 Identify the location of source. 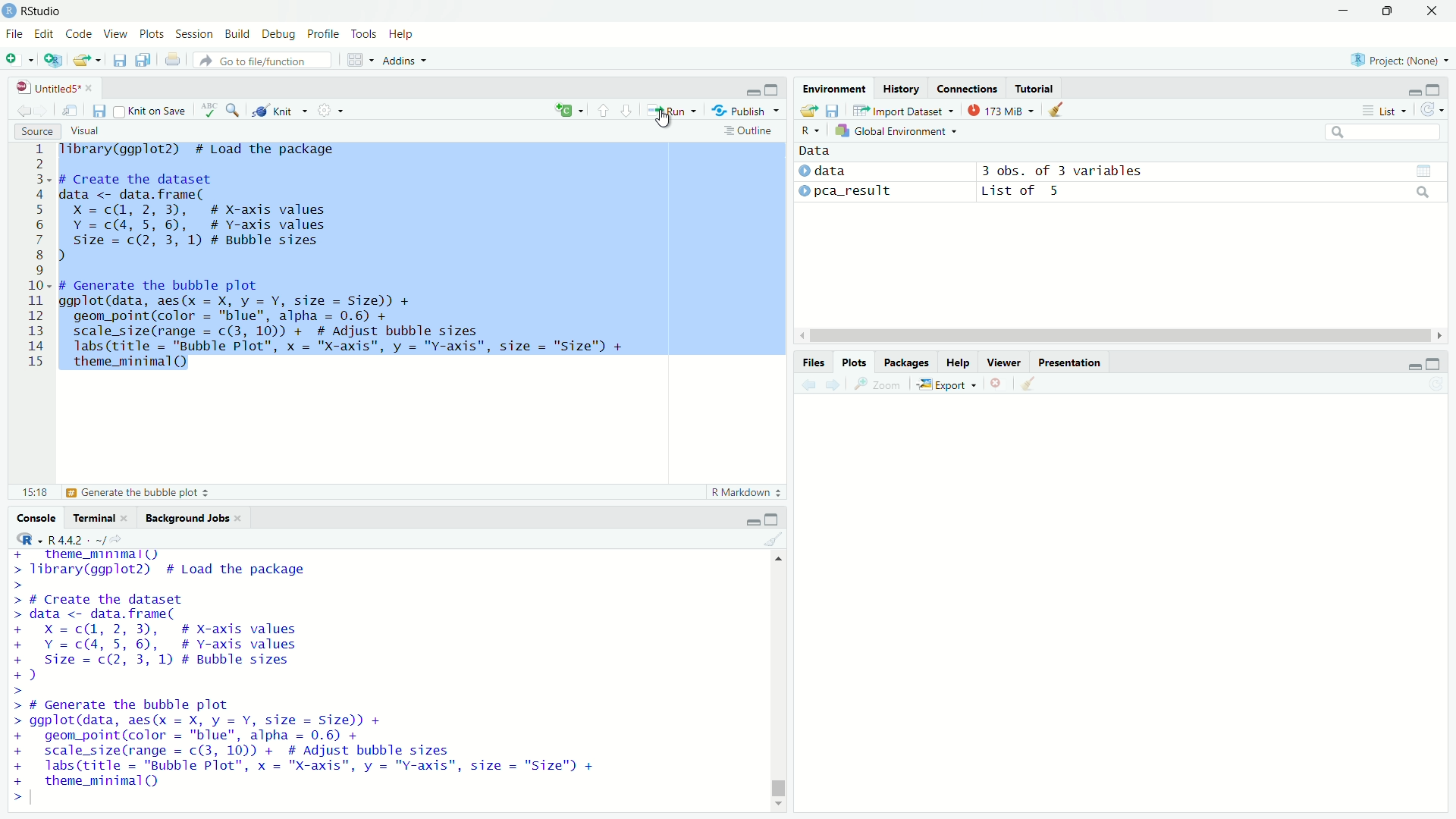
(37, 131).